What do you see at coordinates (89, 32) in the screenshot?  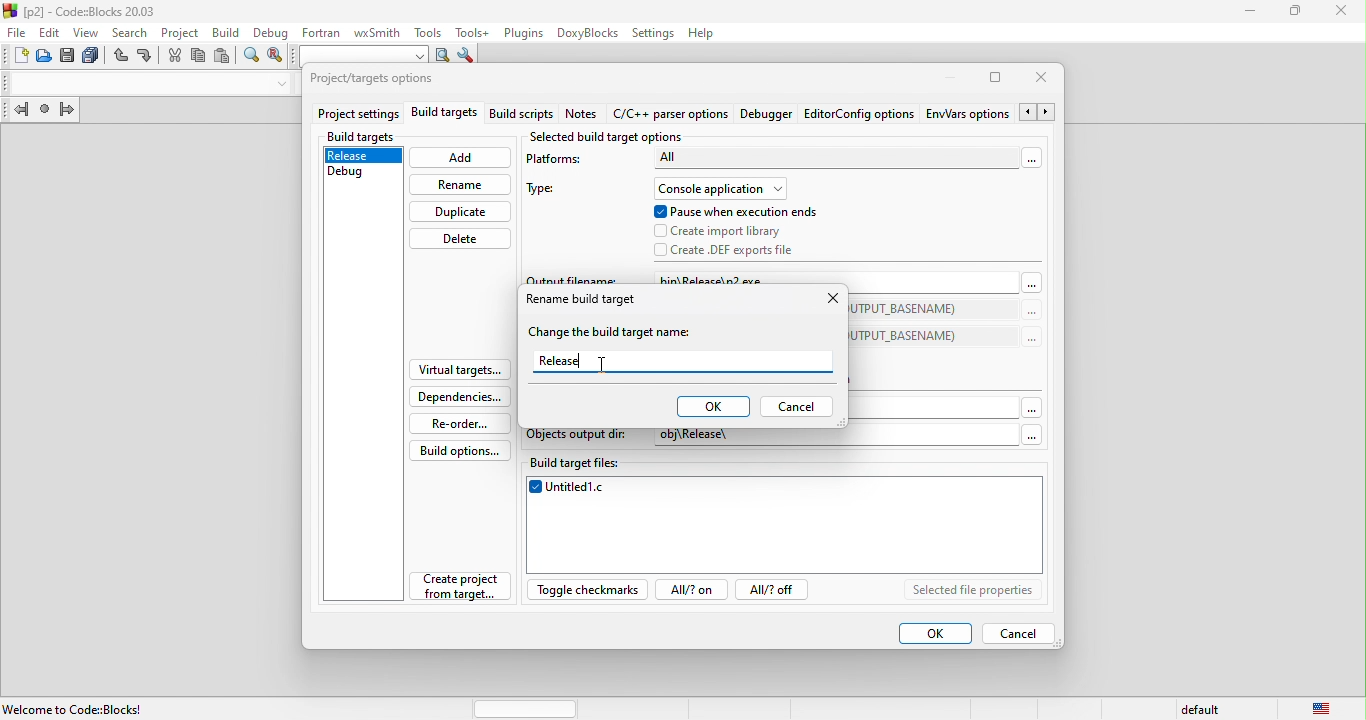 I see `view` at bounding box center [89, 32].